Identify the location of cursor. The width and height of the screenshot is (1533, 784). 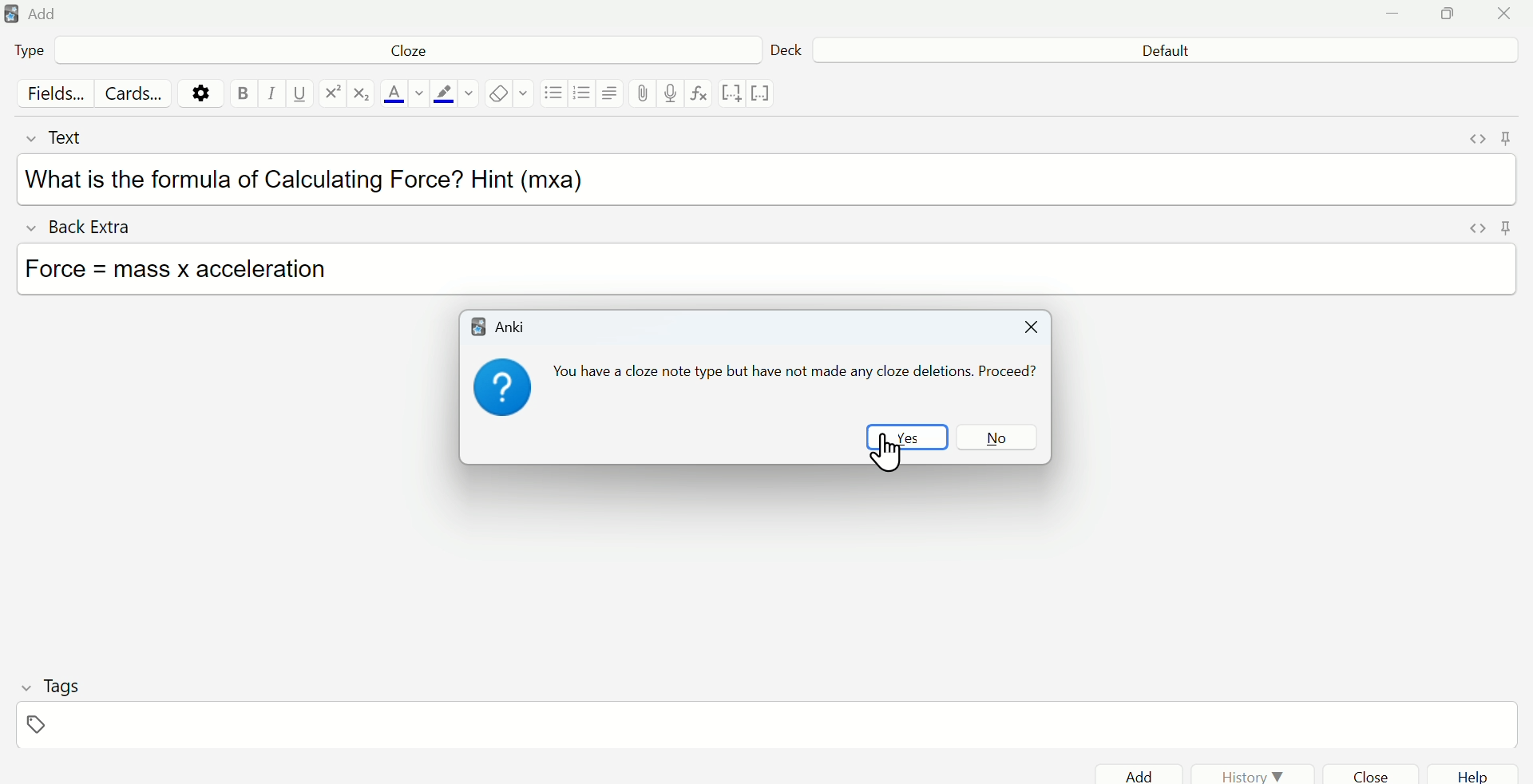
(893, 454).